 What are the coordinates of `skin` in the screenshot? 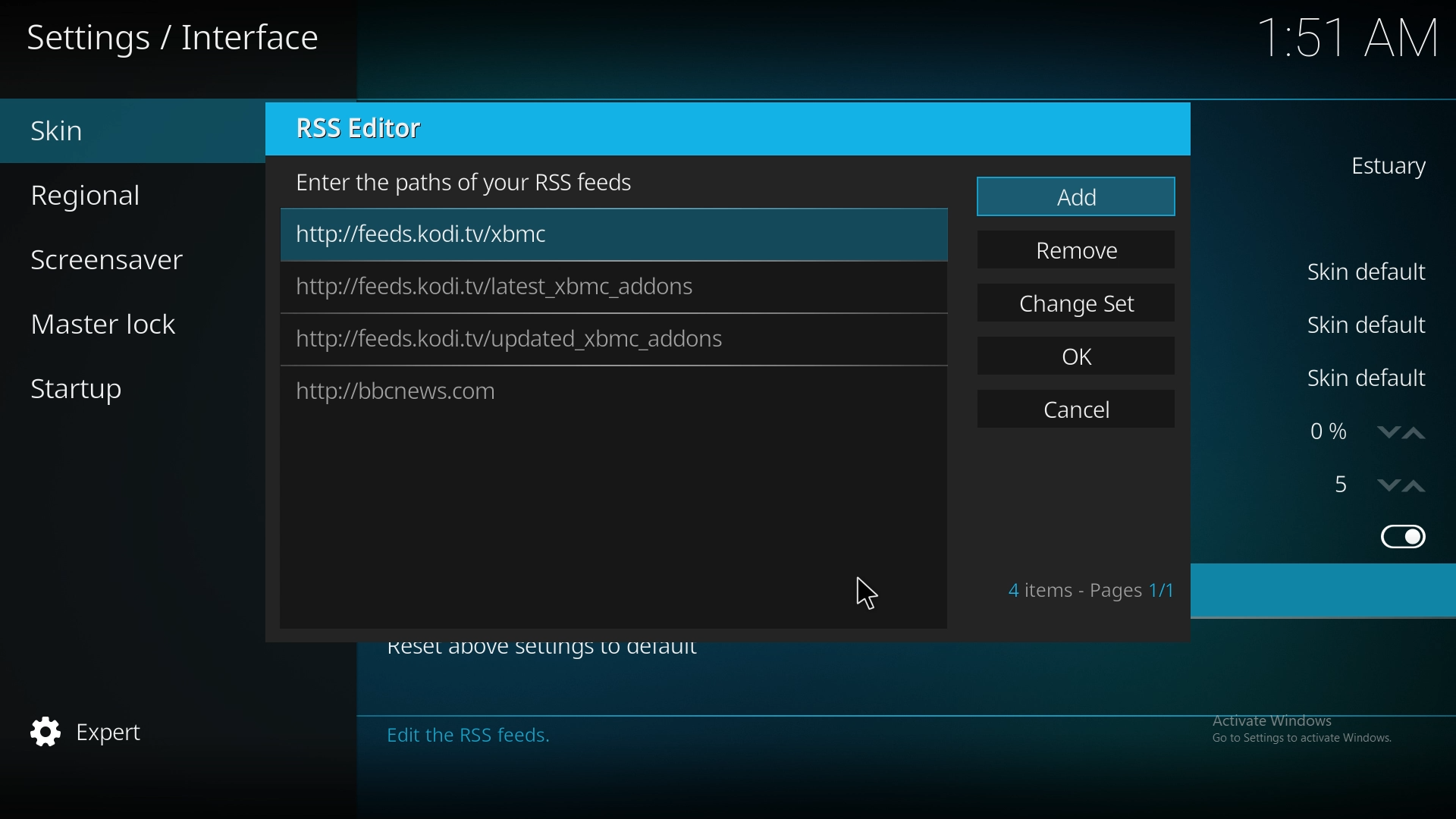 It's located at (1385, 165).